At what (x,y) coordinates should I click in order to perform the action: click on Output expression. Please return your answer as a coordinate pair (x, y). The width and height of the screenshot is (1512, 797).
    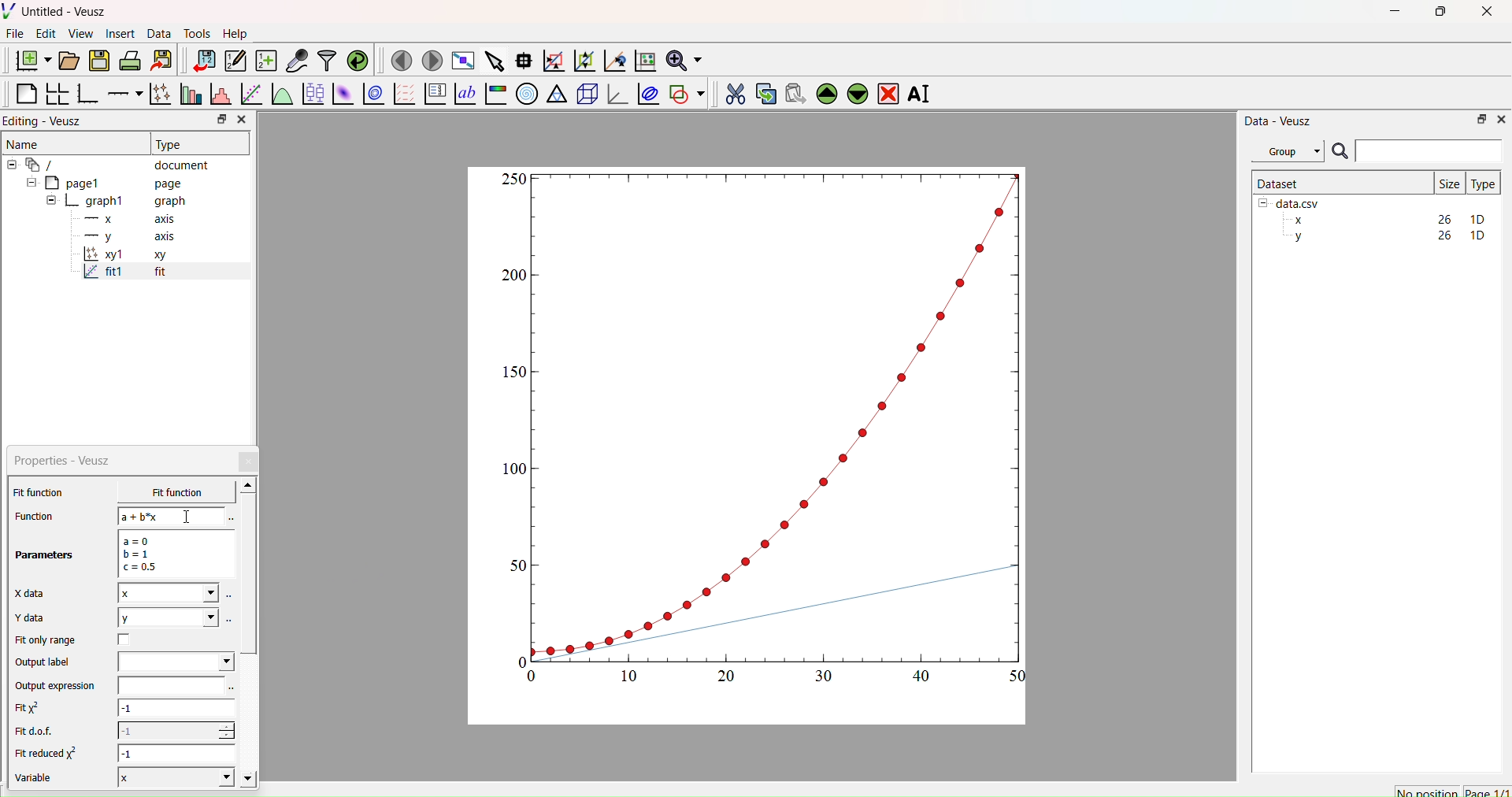
    Looking at the image, I should click on (60, 686).